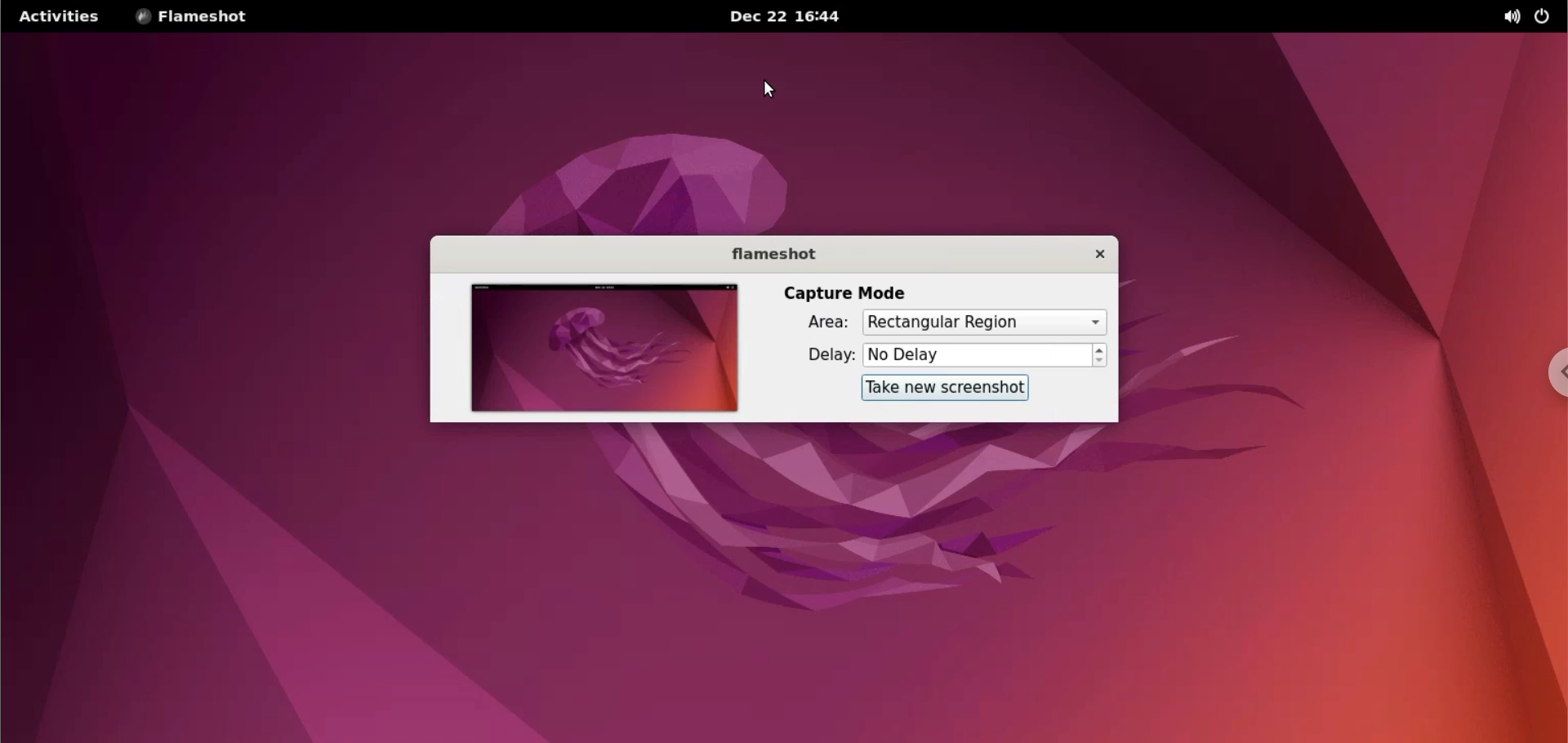  I want to click on delay:, so click(822, 354).